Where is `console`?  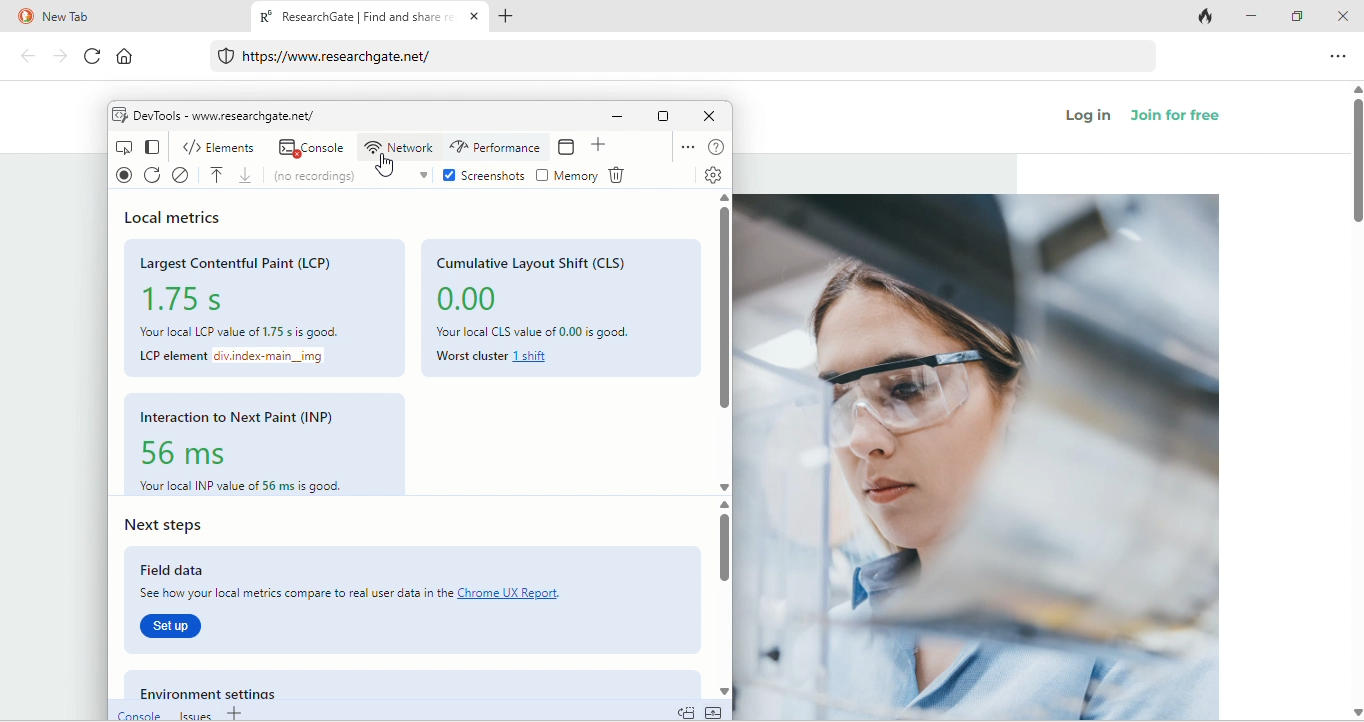
console is located at coordinates (310, 147).